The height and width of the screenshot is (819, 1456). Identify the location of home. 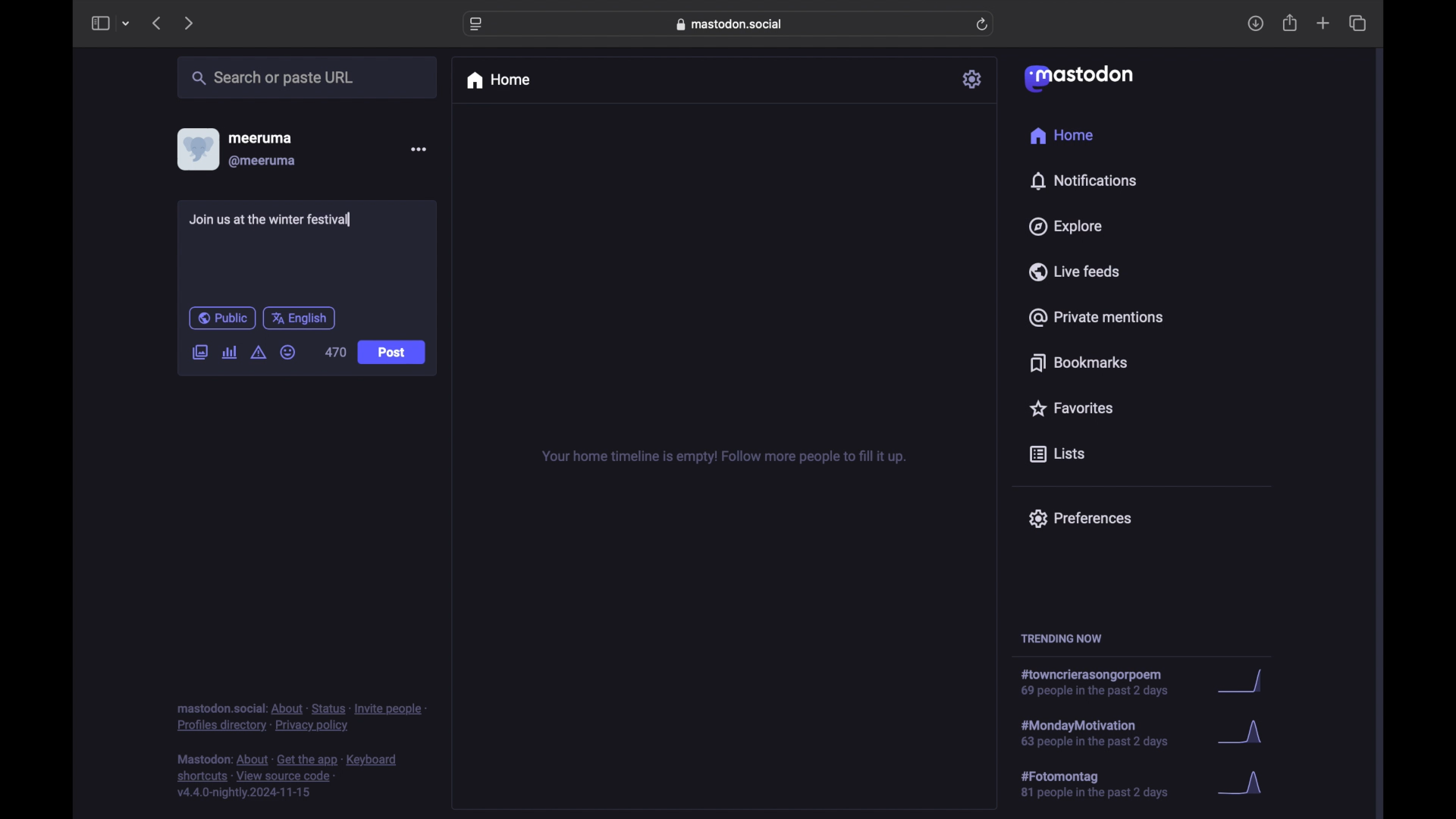
(1061, 136).